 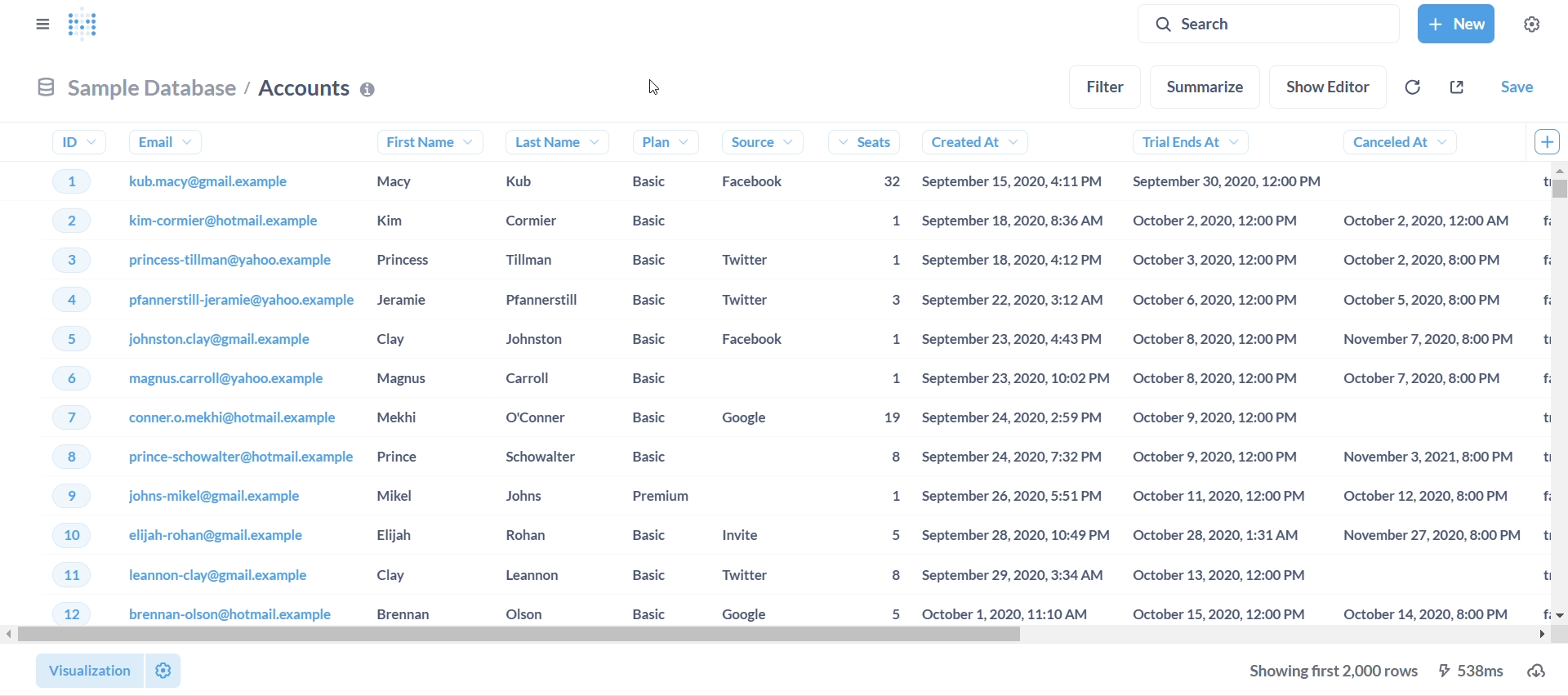 I want to click on Id's, so click(x=75, y=373).